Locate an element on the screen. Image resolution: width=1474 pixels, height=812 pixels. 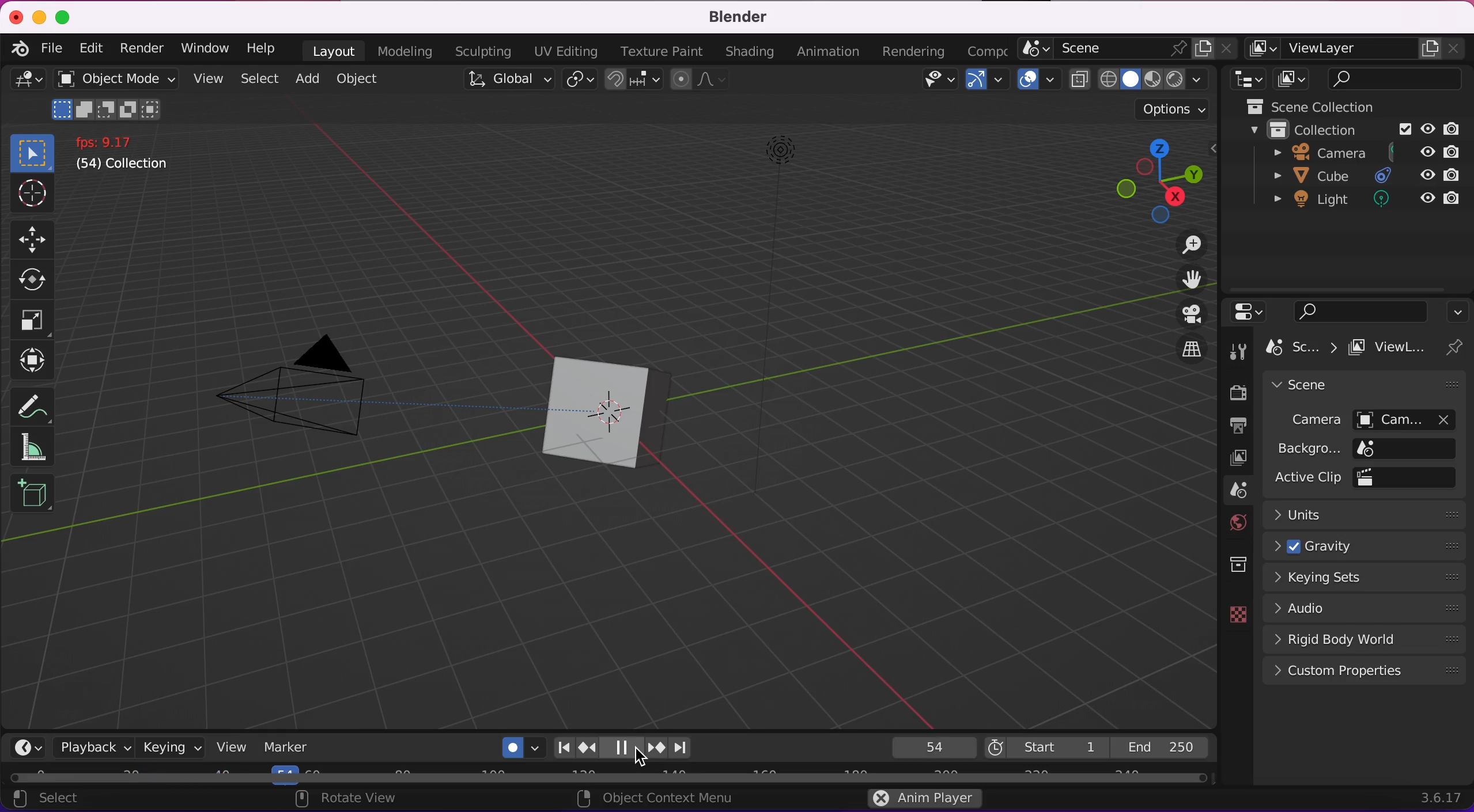
texture is located at coordinates (1234, 614).